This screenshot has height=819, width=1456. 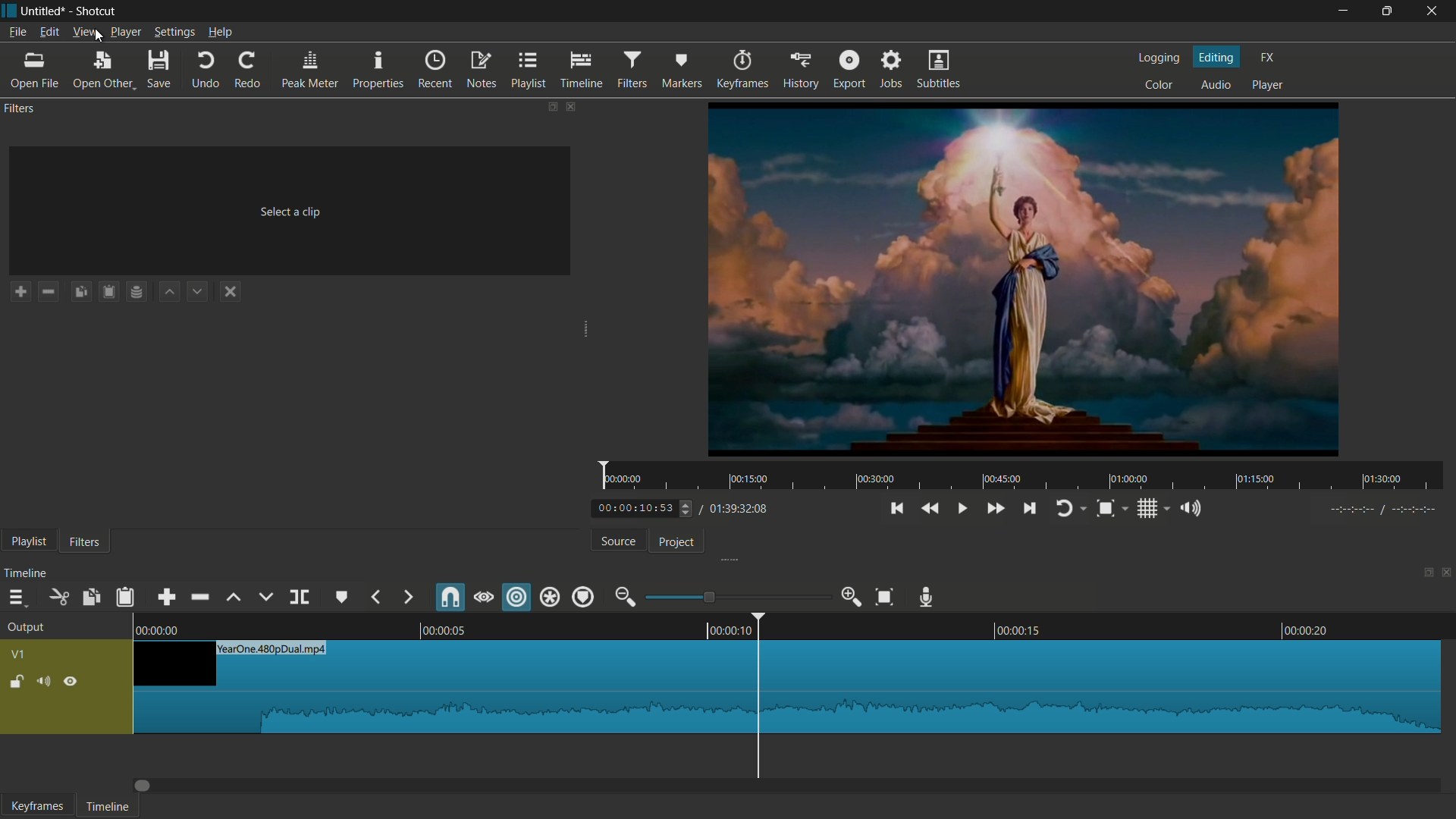 What do you see at coordinates (108, 292) in the screenshot?
I see `paste filters` at bounding box center [108, 292].